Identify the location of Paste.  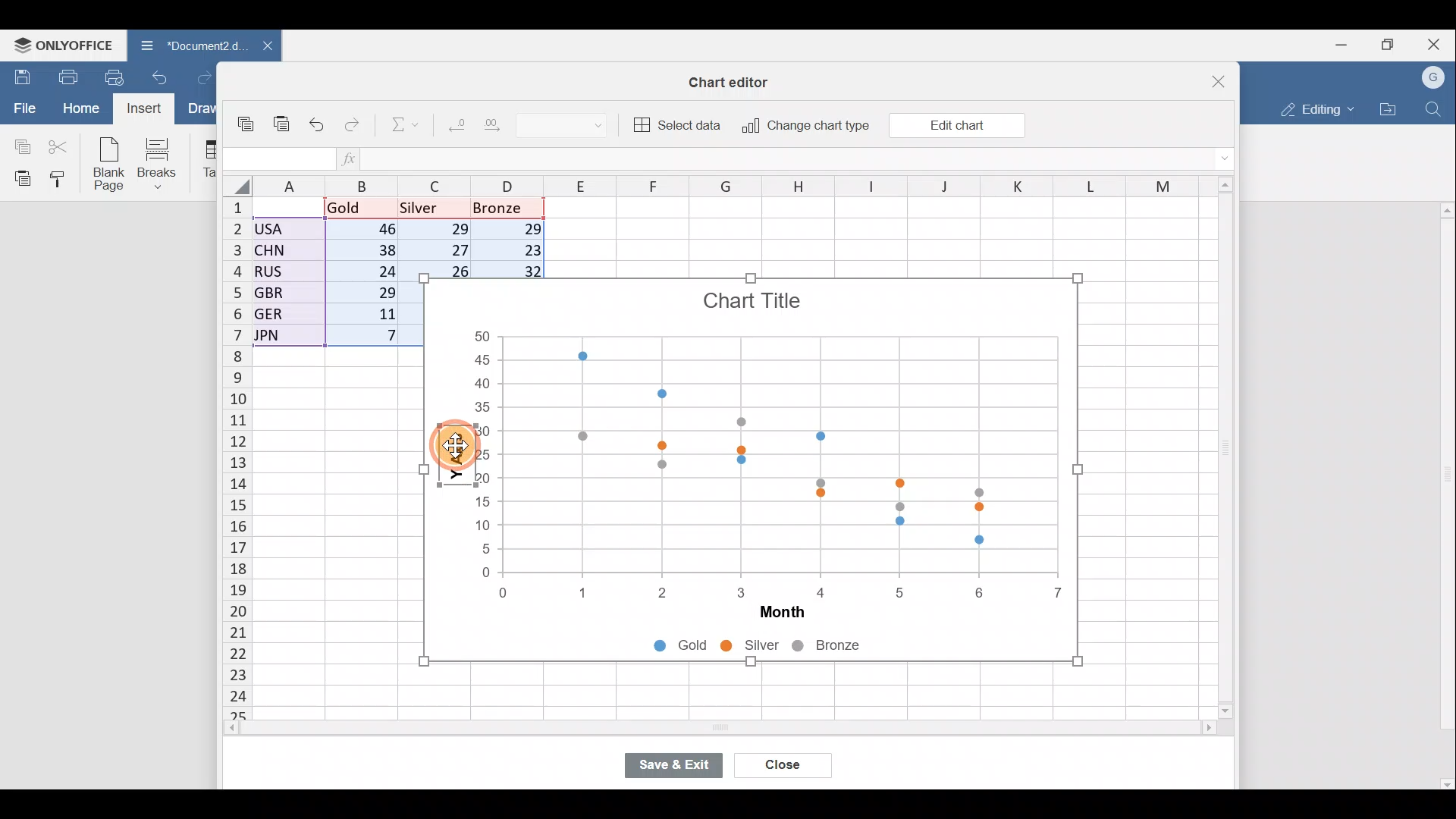
(19, 178).